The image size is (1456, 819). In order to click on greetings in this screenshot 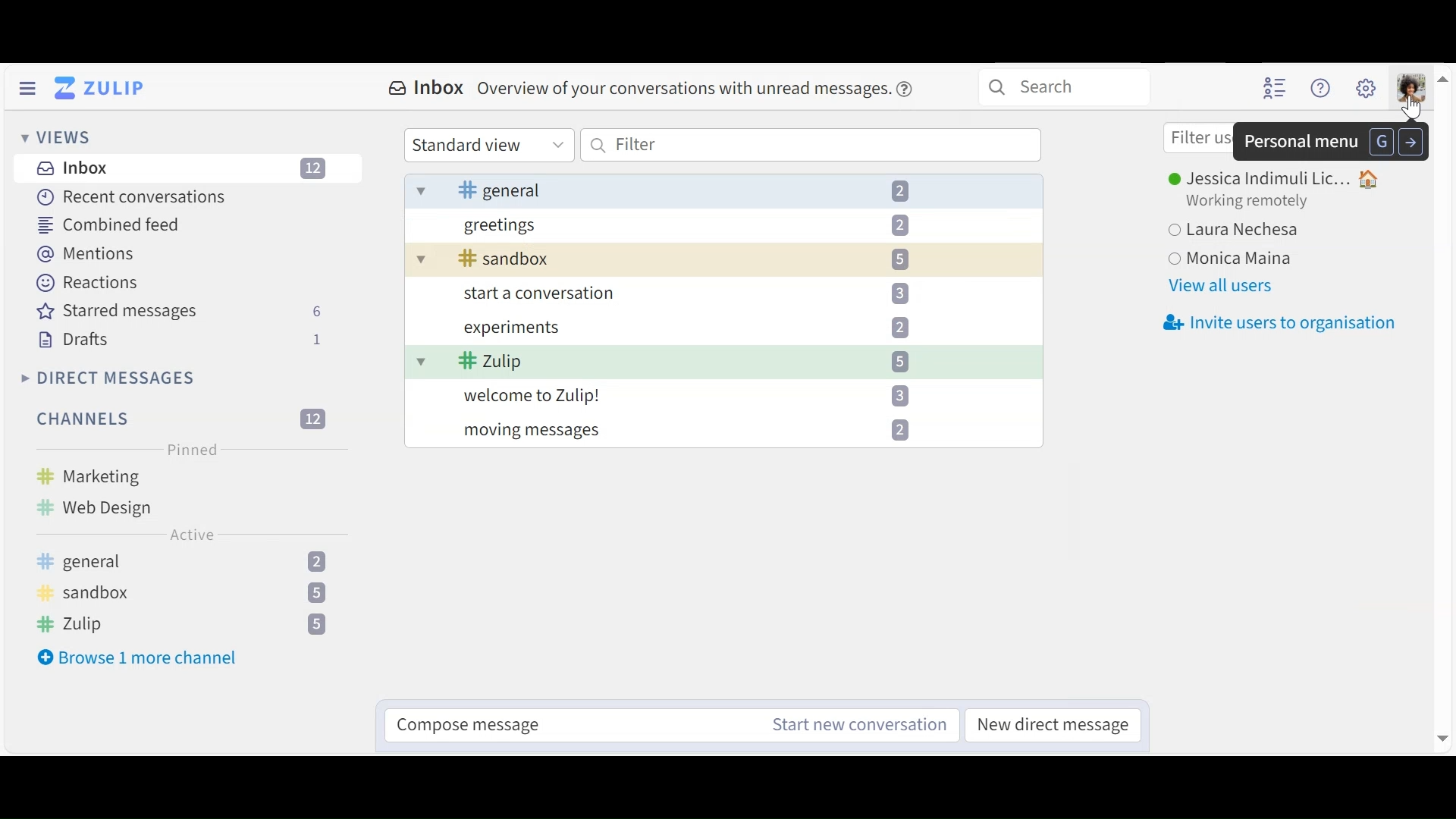, I will do `click(505, 224)`.